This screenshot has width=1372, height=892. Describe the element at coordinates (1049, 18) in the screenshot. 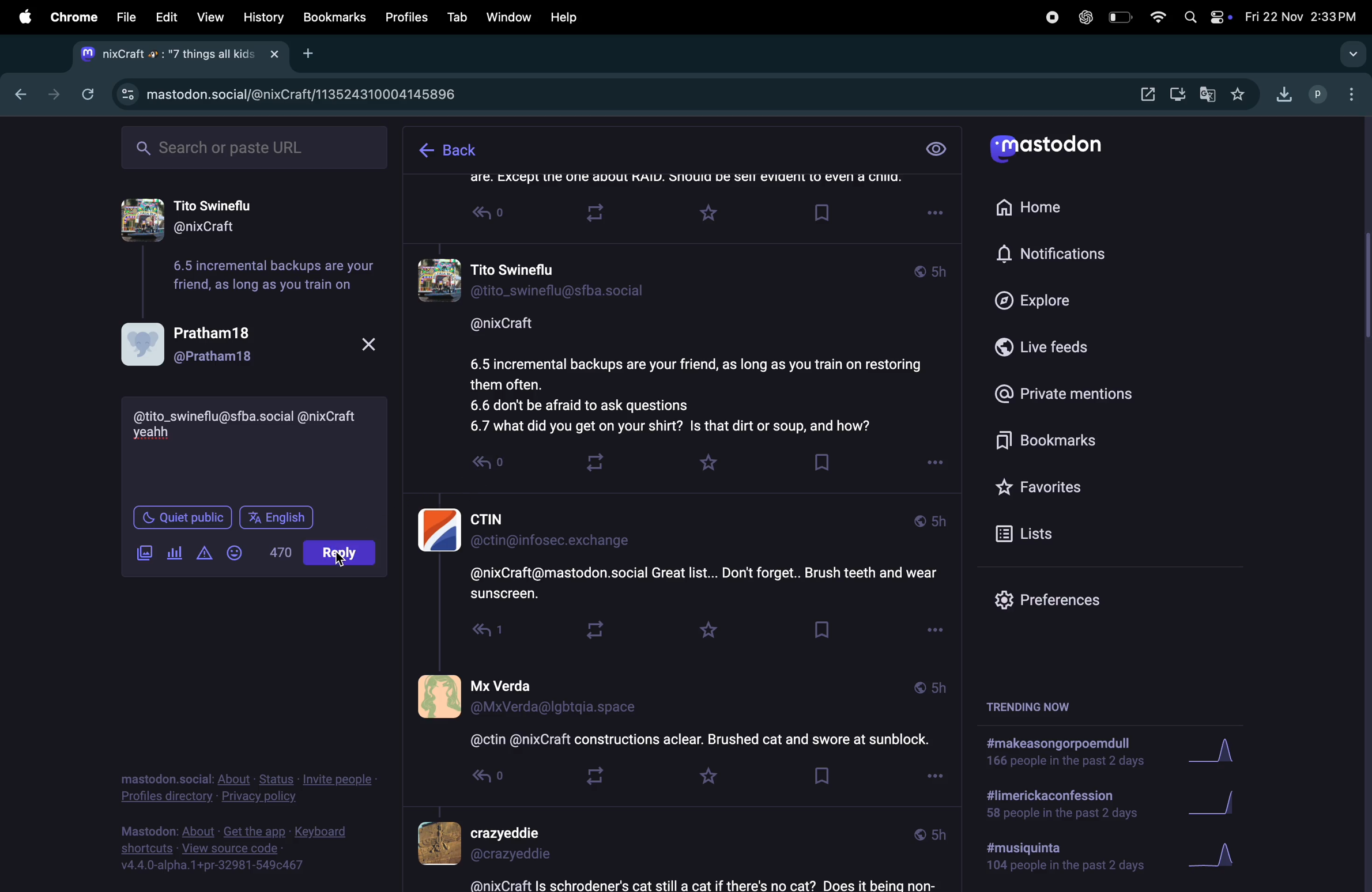

I see `record` at that location.